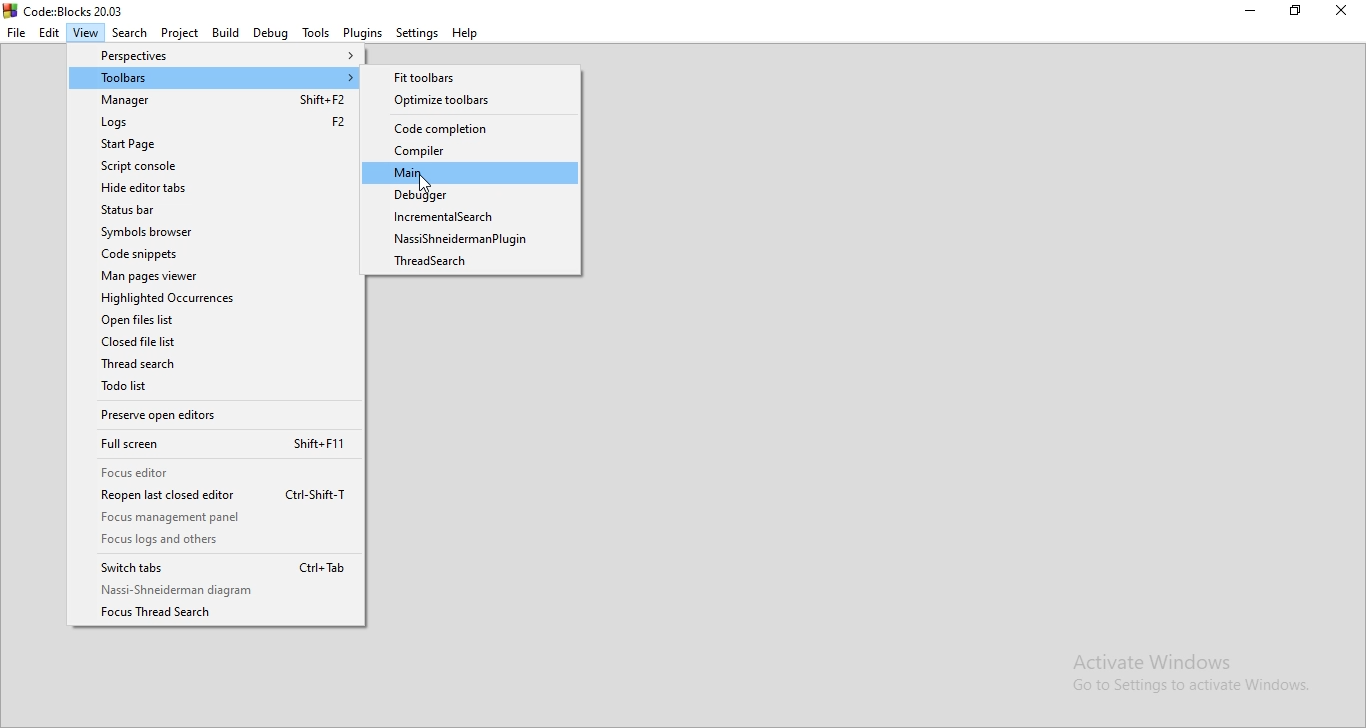 The width and height of the screenshot is (1366, 728). I want to click on Project , so click(180, 34).